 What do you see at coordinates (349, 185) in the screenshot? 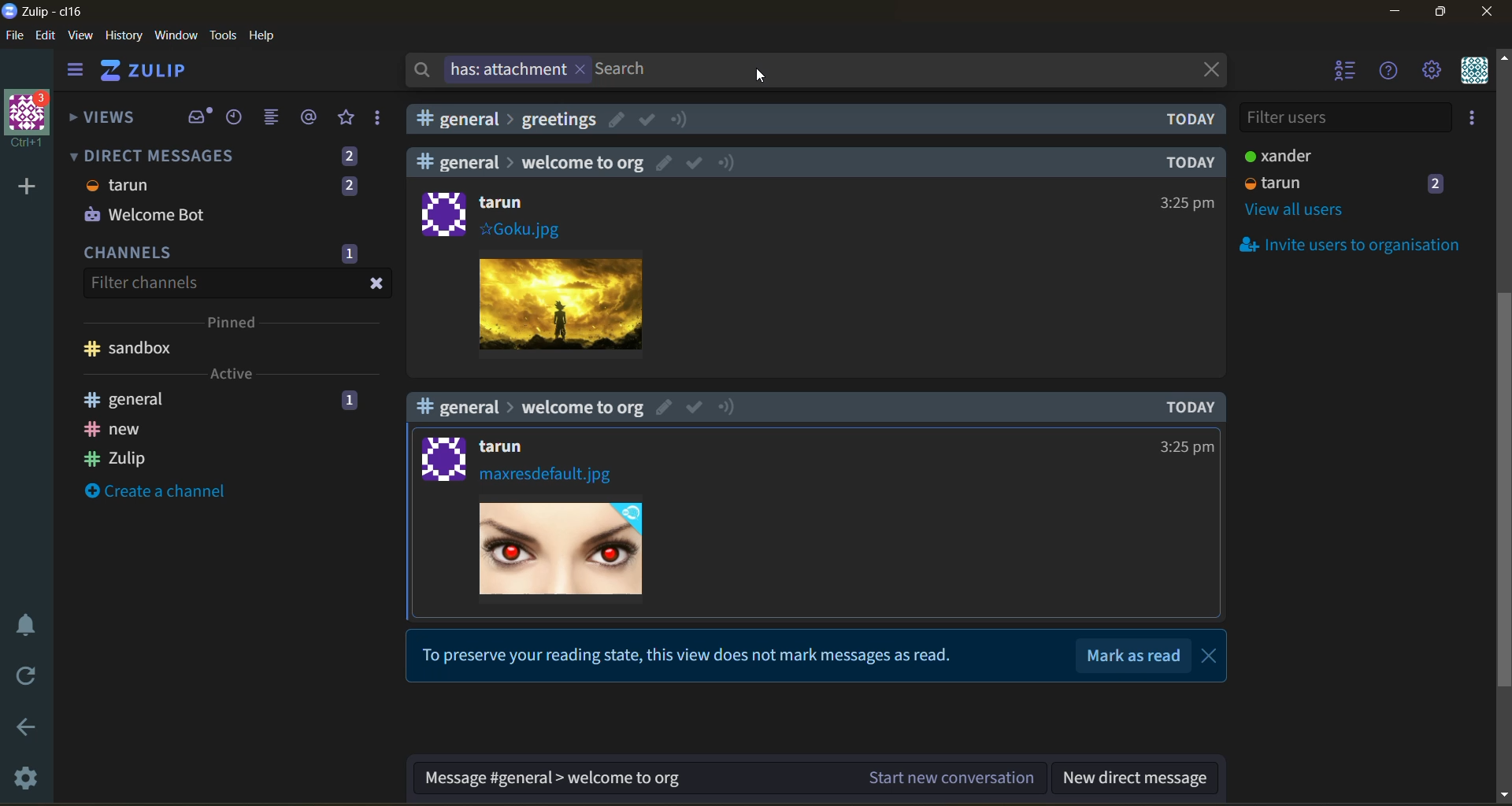
I see `2` at bounding box center [349, 185].